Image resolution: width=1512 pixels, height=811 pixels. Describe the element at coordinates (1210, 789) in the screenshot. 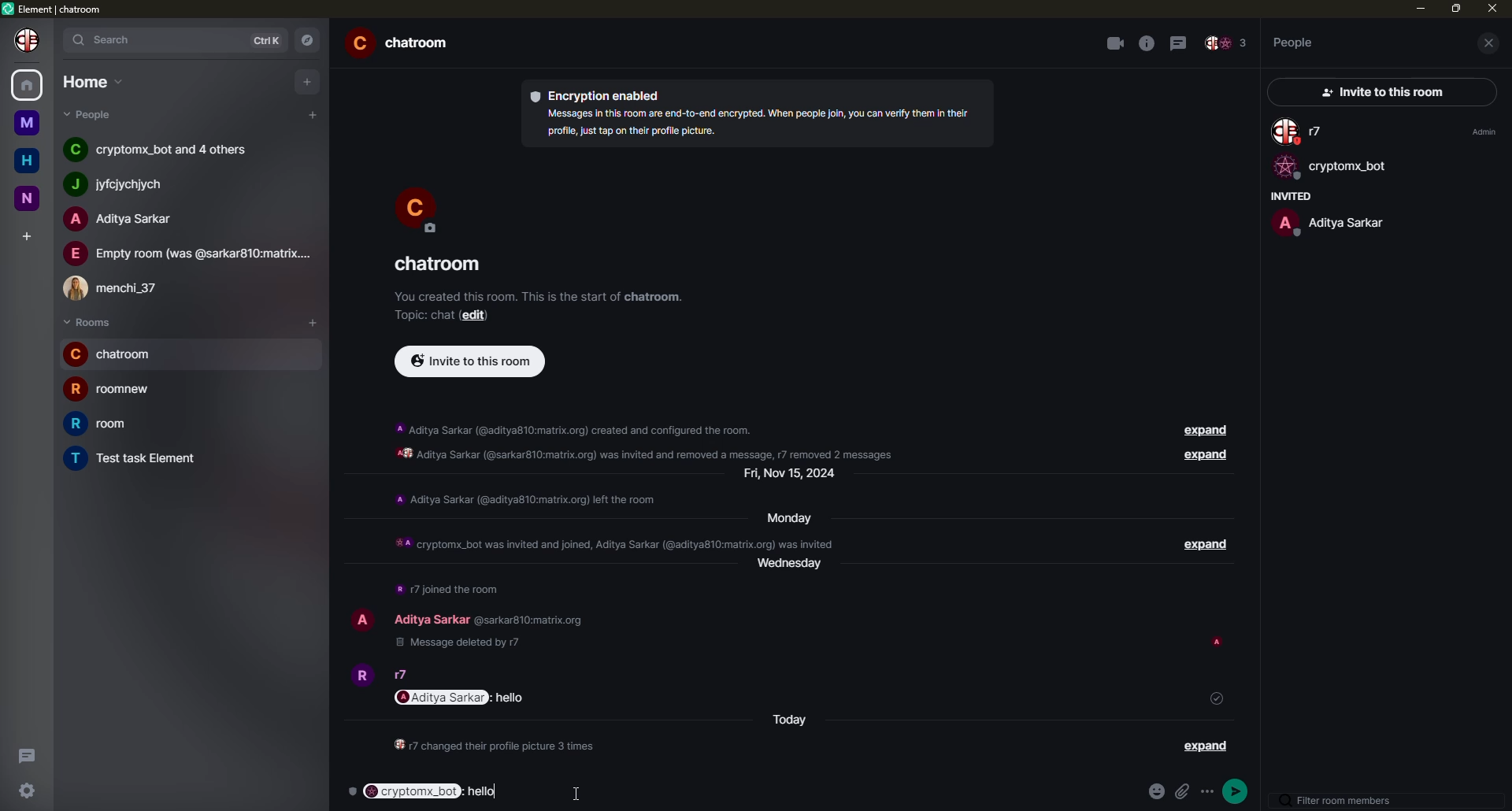

I see `options` at that location.